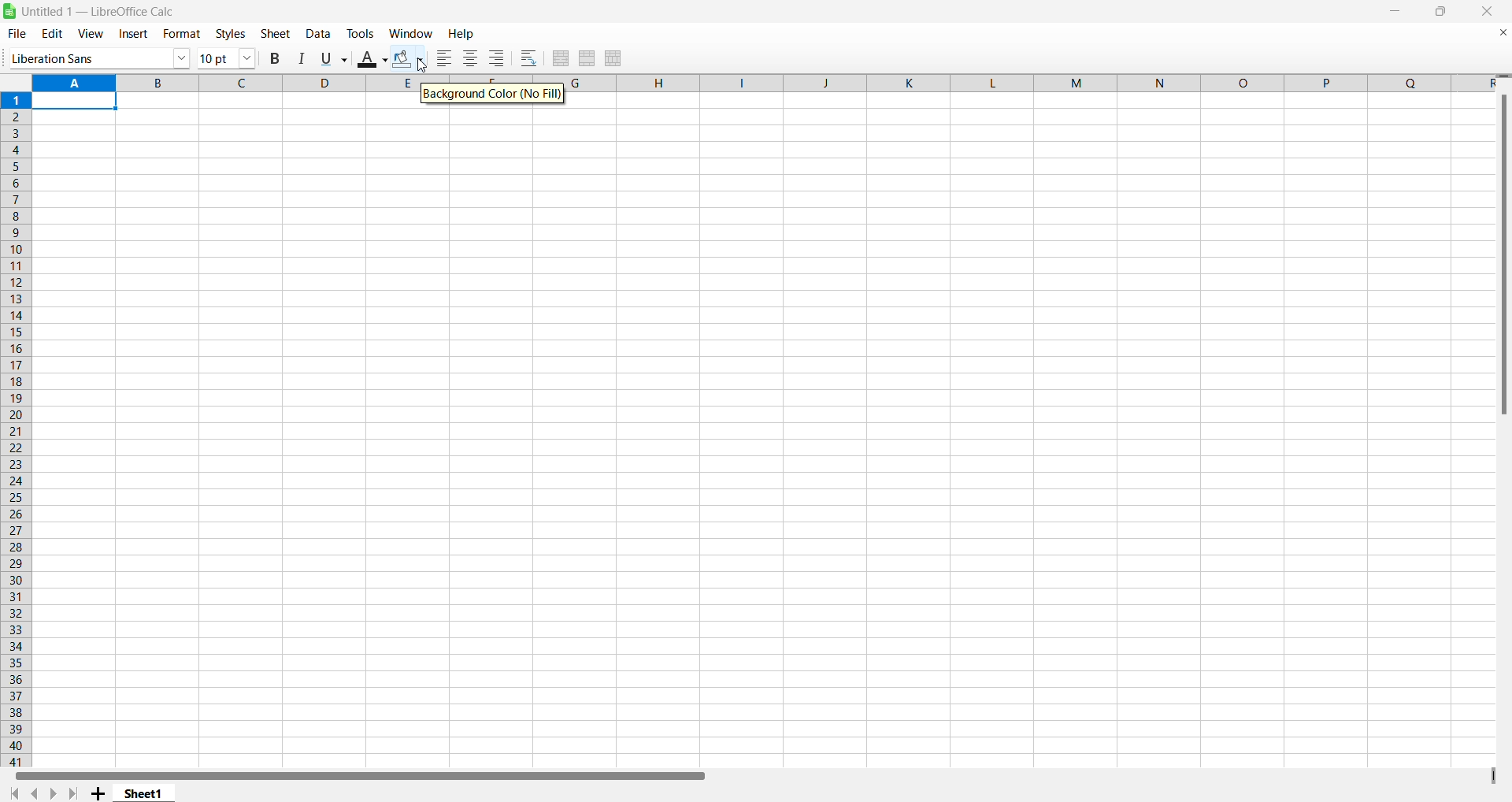 Image resolution: width=1512 pixels, height=802 pixels. I want to click on help, so click(461, 33).